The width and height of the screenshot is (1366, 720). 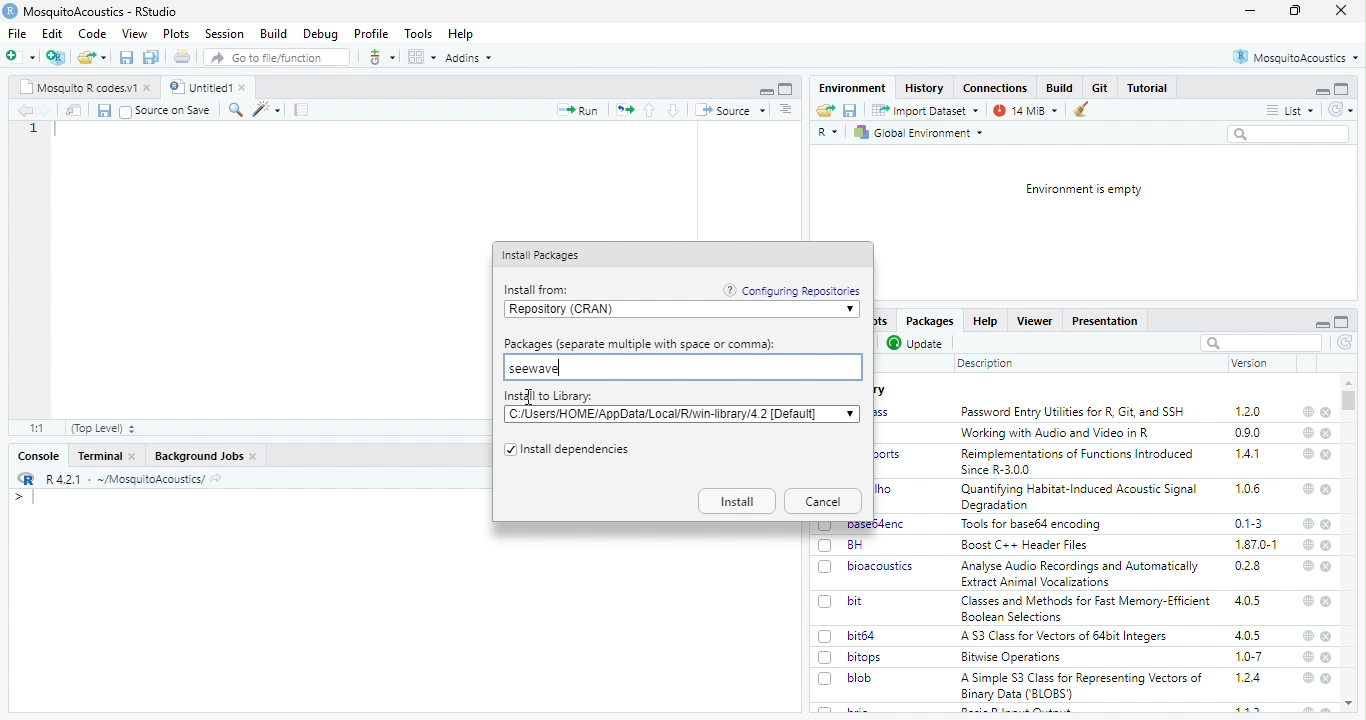 What do you see at coordinates (178, 34) in the screenshot?
I see `Plots` at bounding box center [178, 34].